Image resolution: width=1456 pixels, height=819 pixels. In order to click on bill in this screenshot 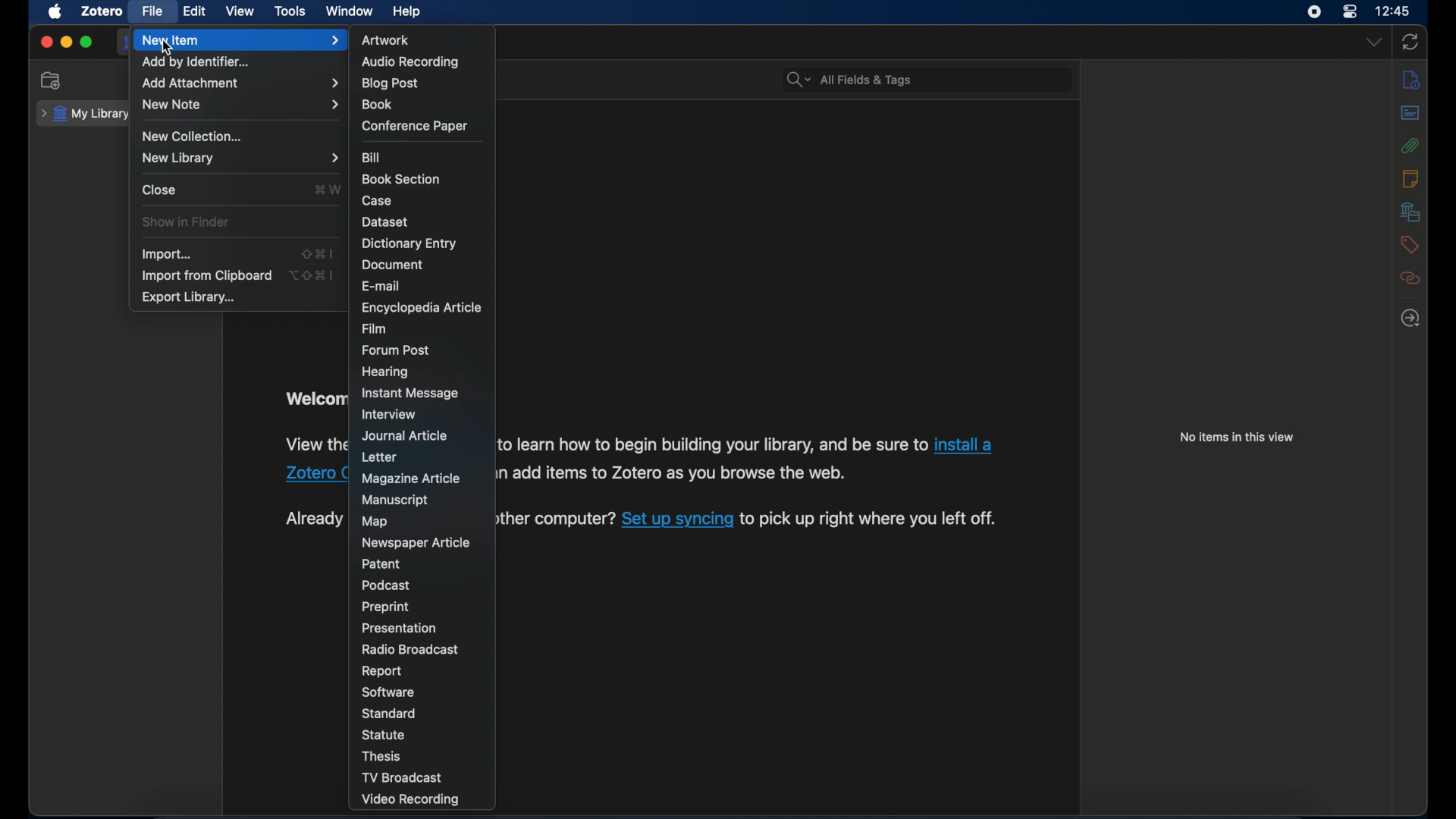, I will do `click(372, 157)`.